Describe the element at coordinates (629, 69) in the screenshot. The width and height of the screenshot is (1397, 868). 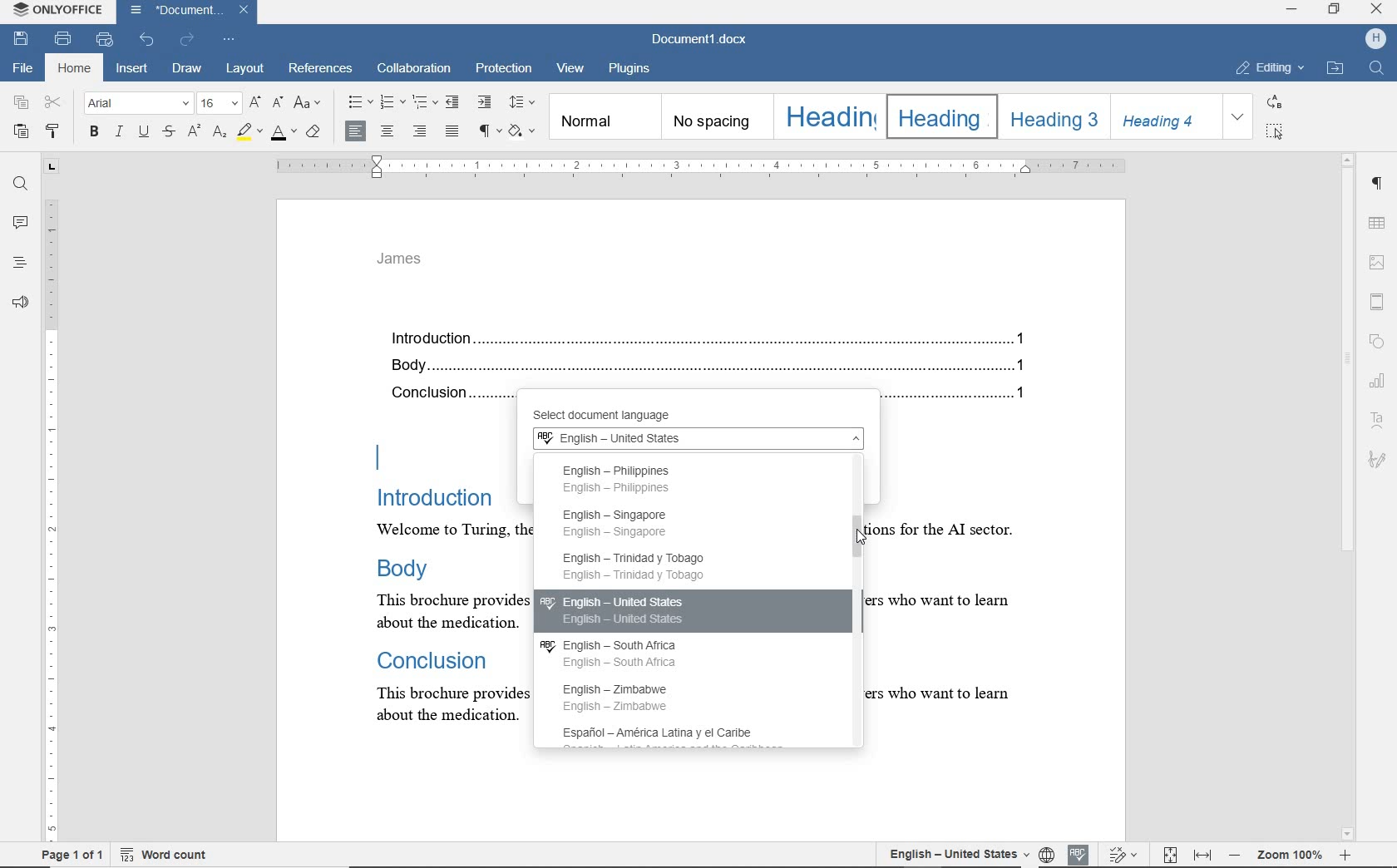
I see `plugins` at that location.